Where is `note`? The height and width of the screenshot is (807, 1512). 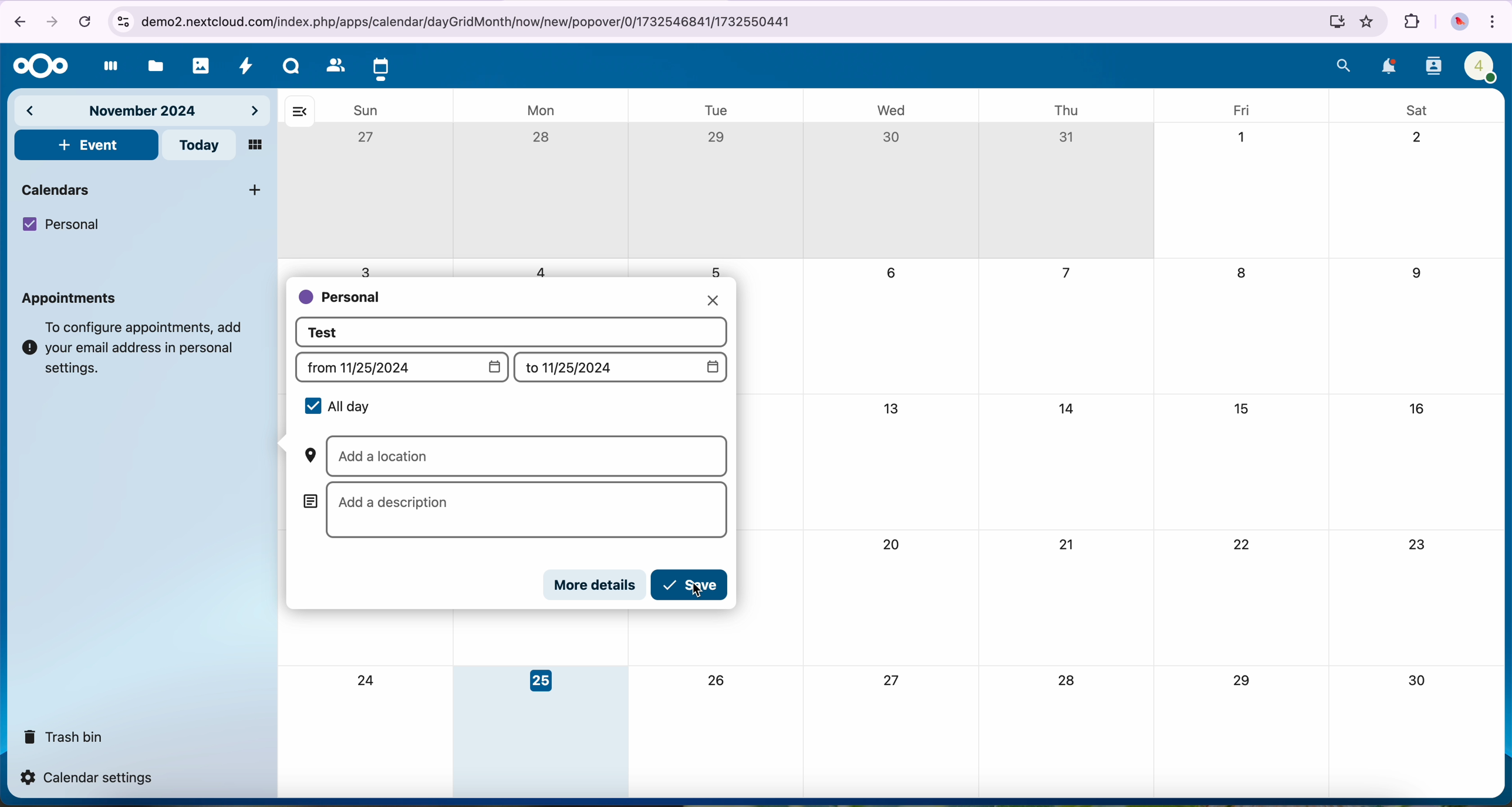 note is located at coordinates (135, 348).